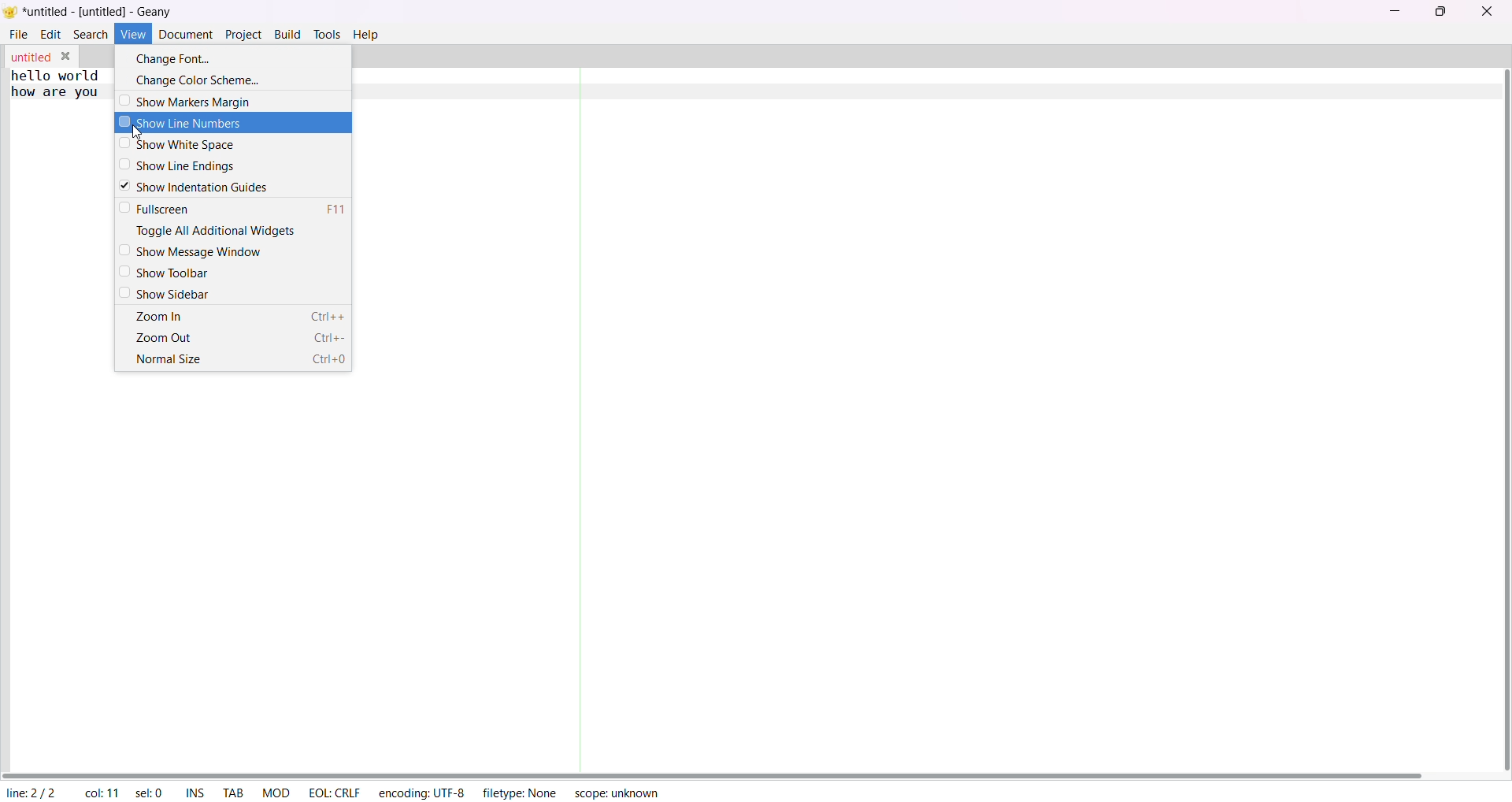 This screenshot has height=802, width=1512. What do you see at coordinates (241, 316) in the screenshot?
I see `zoom in` at bounding box center [241, 316].